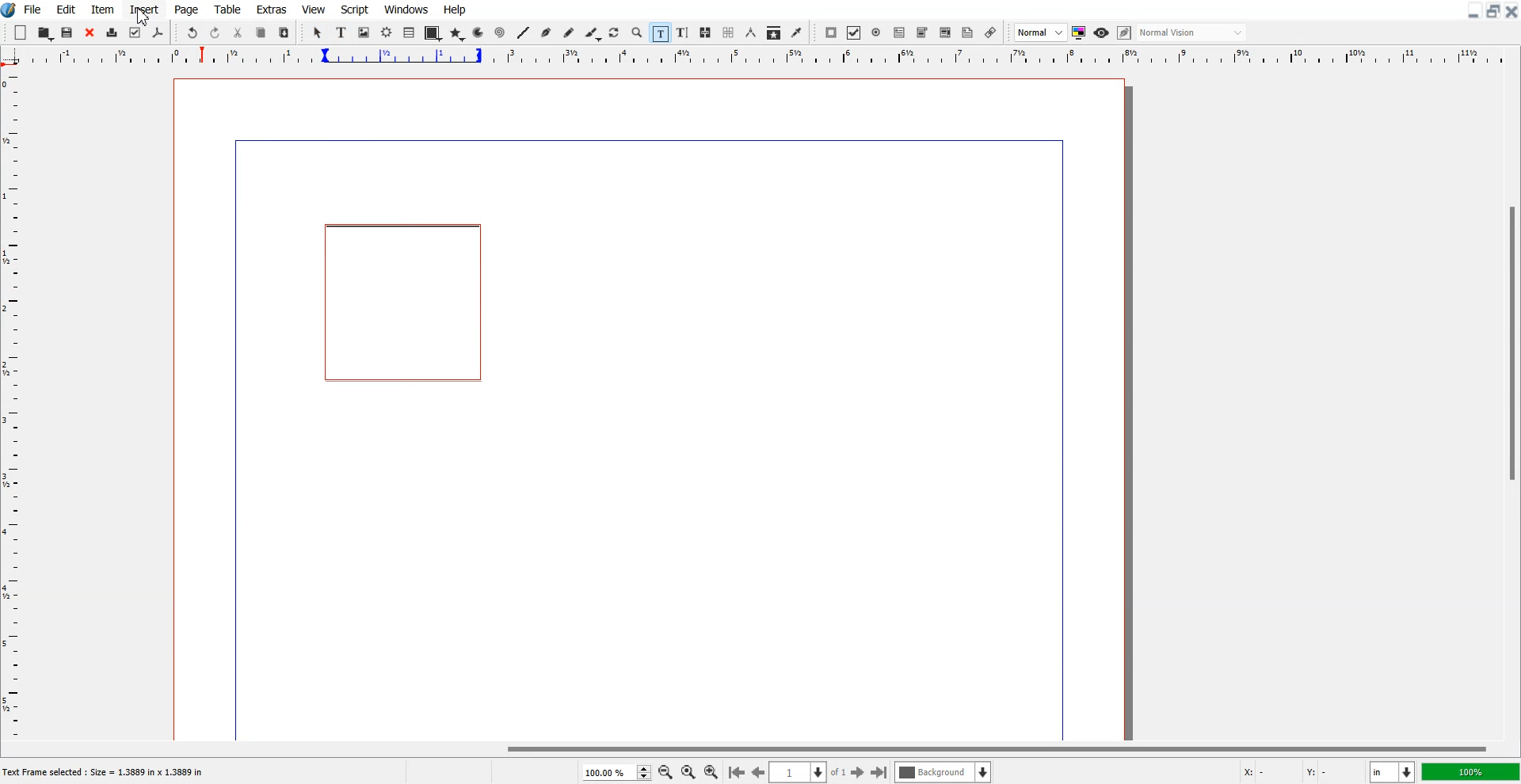  Describe the element at coordinates (192, 33) in the screenshot. I see `Undo` at that location.